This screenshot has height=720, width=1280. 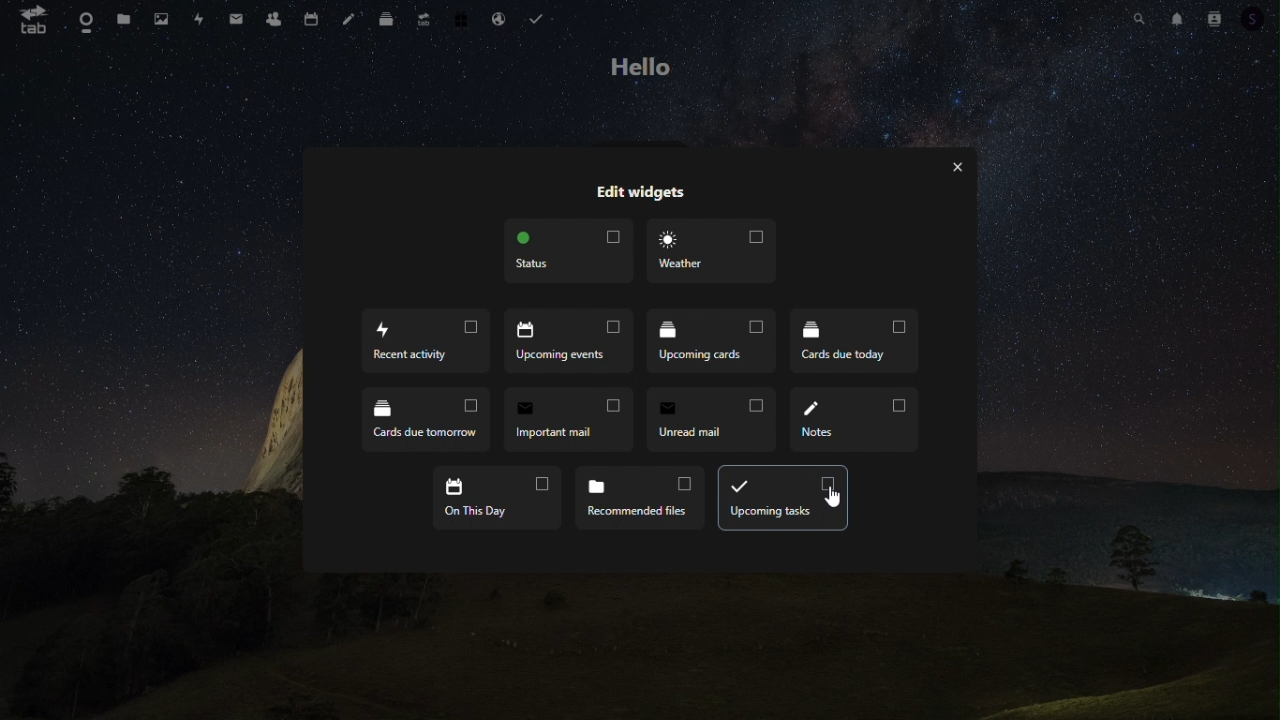 I want to click on notes, so click(x=351, y=21).